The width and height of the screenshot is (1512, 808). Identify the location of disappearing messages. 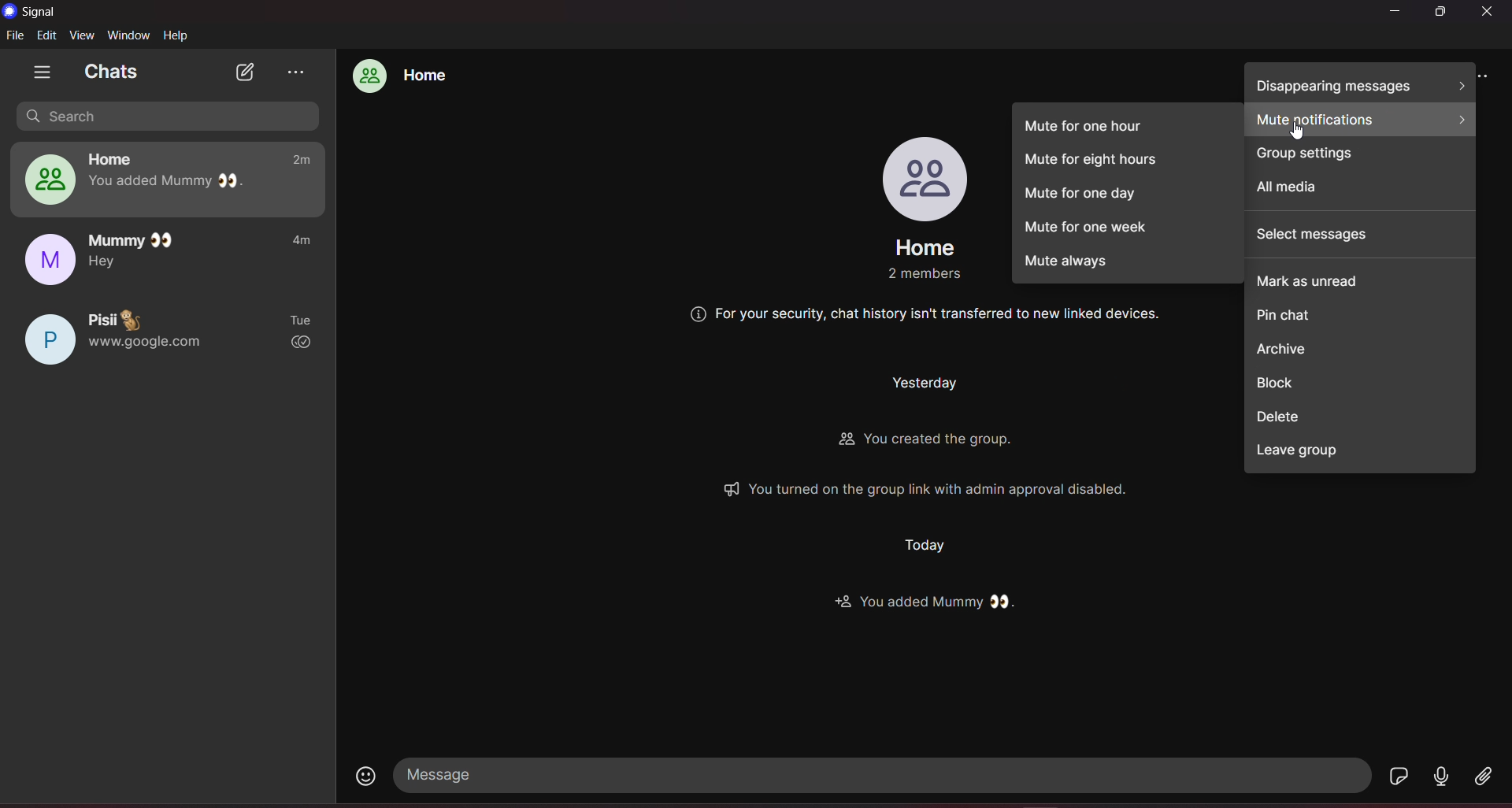
(1363, 83).